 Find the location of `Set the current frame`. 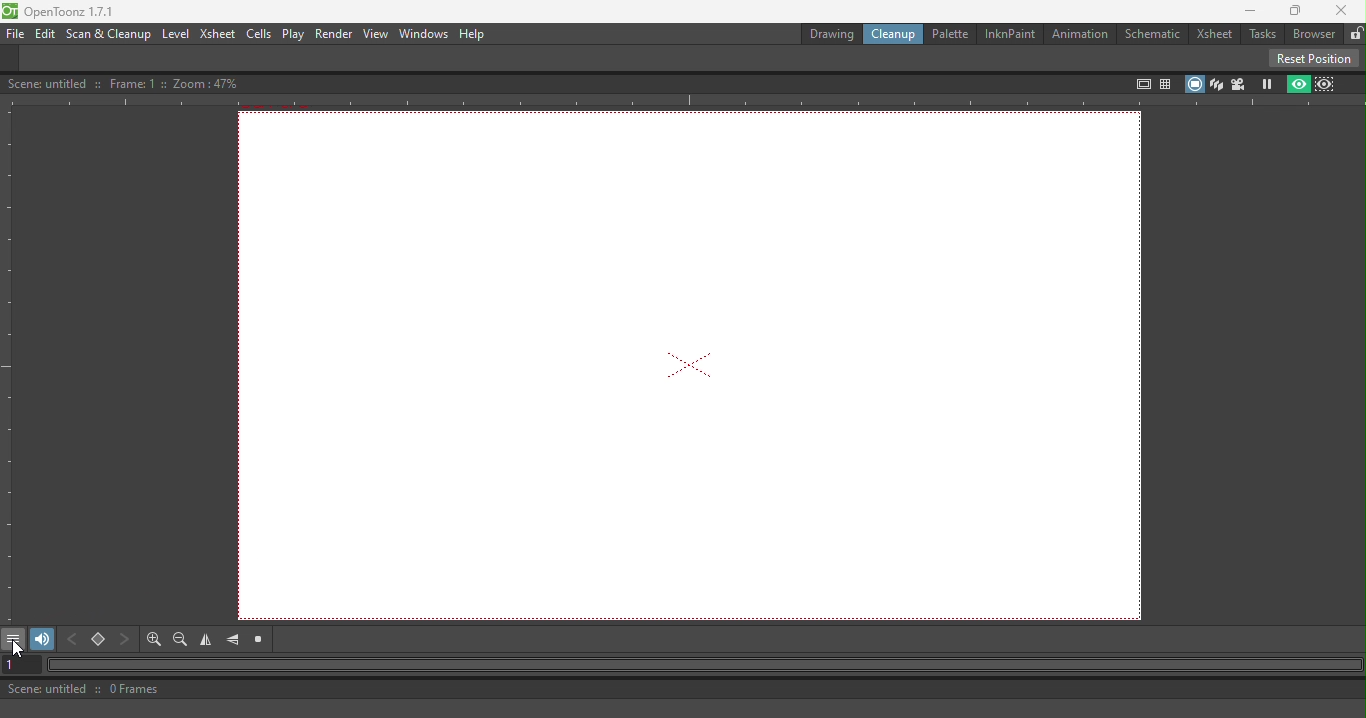

Set the current frame is located at coordinates (18, 665).